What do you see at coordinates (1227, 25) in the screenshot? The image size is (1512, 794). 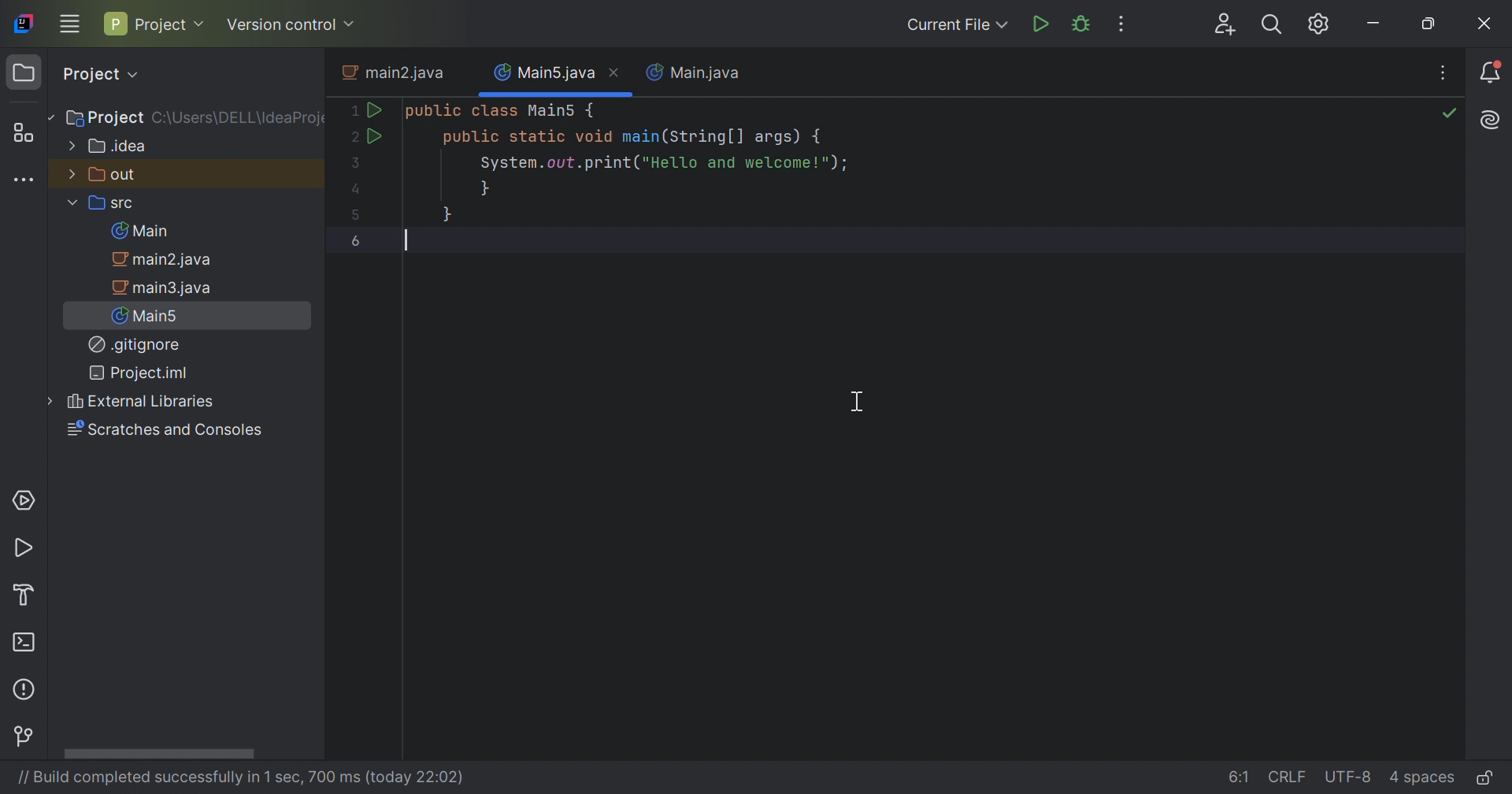 I see `Code With Me` at bounding box center [1227, 25].